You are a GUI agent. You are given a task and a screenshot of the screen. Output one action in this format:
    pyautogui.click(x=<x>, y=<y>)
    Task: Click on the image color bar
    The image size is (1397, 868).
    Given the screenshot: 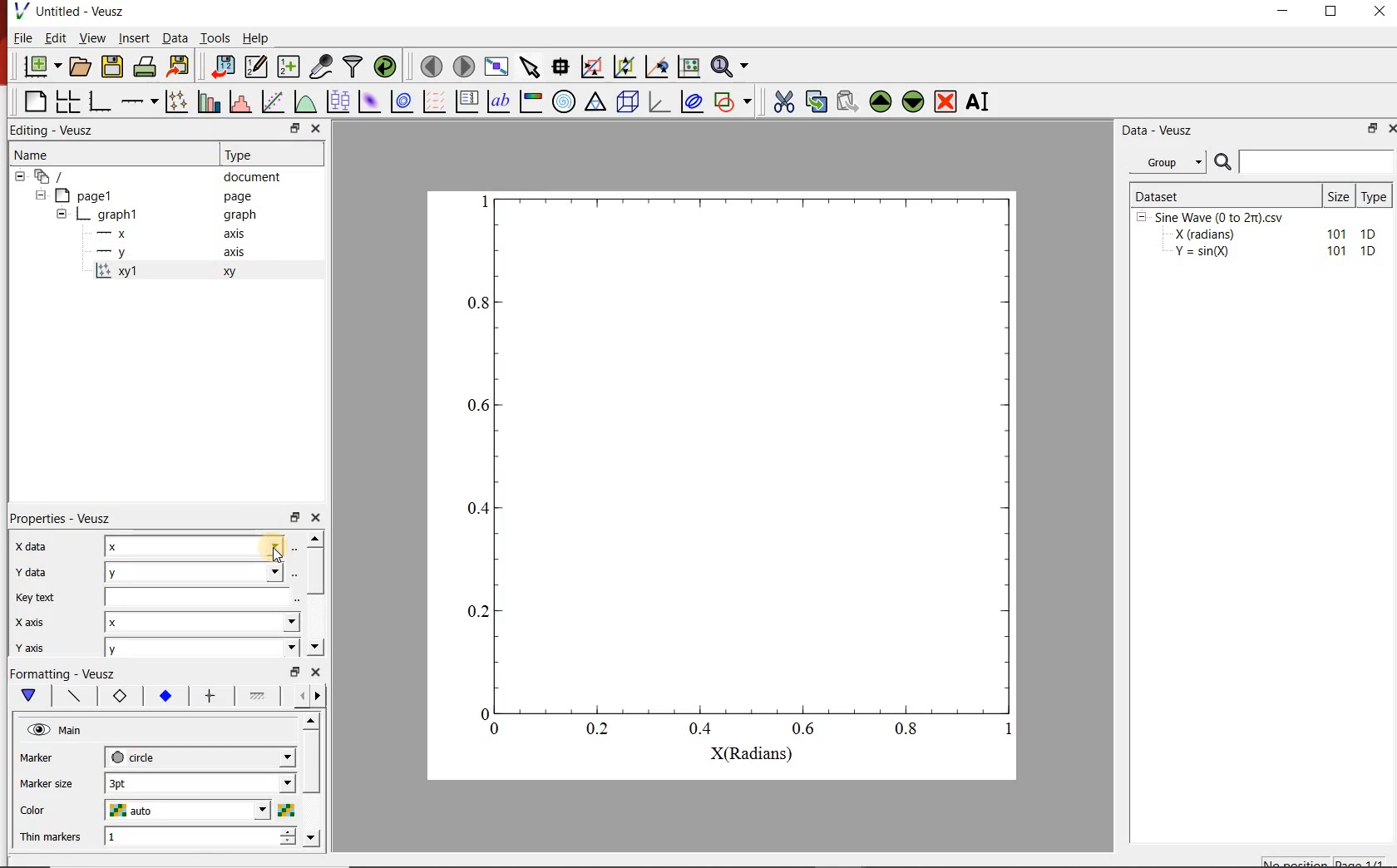 What is the action you would take?
    pyautogui.click(x=531, y=101)
    